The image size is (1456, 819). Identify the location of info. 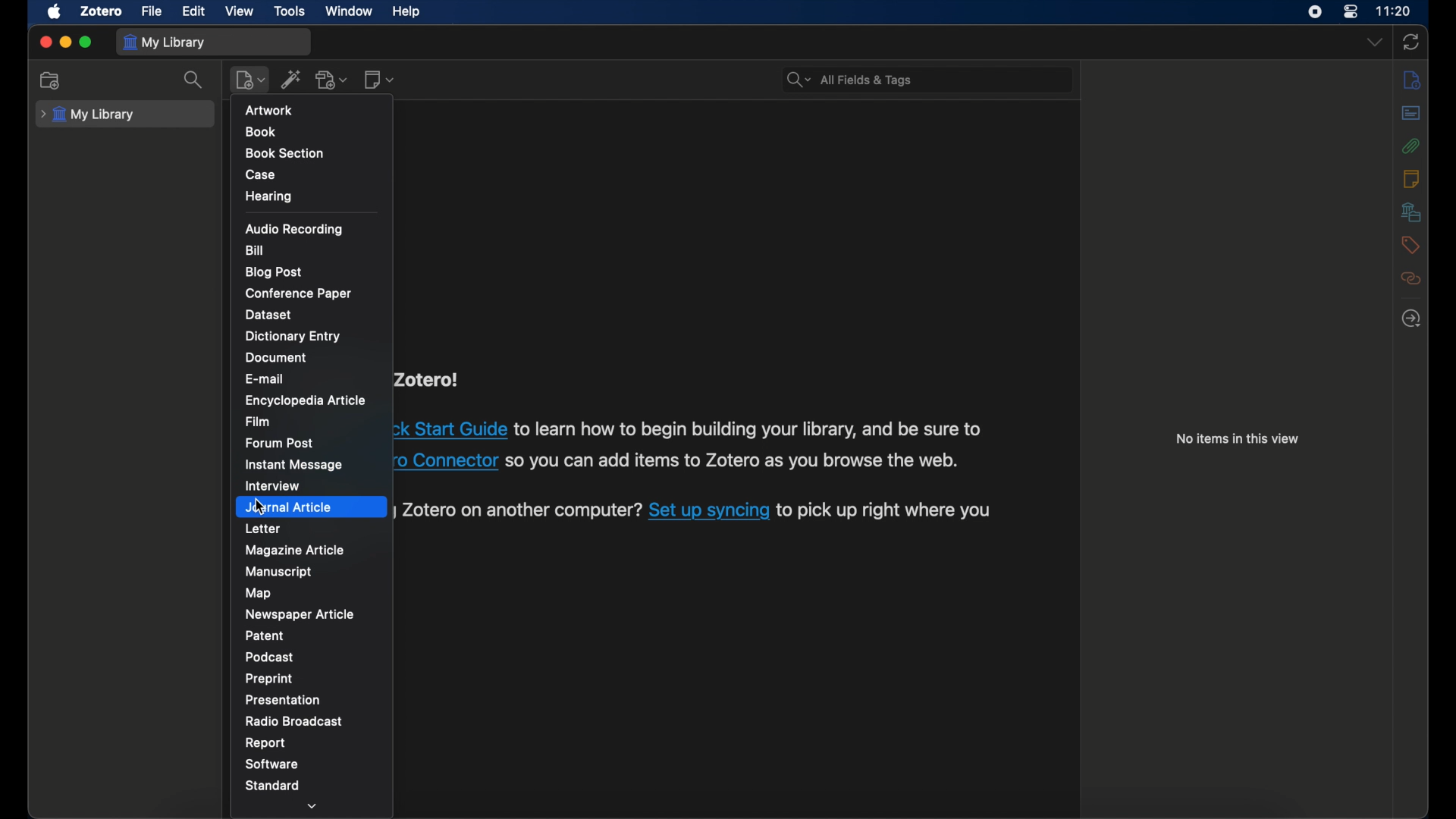
(1409, 79).